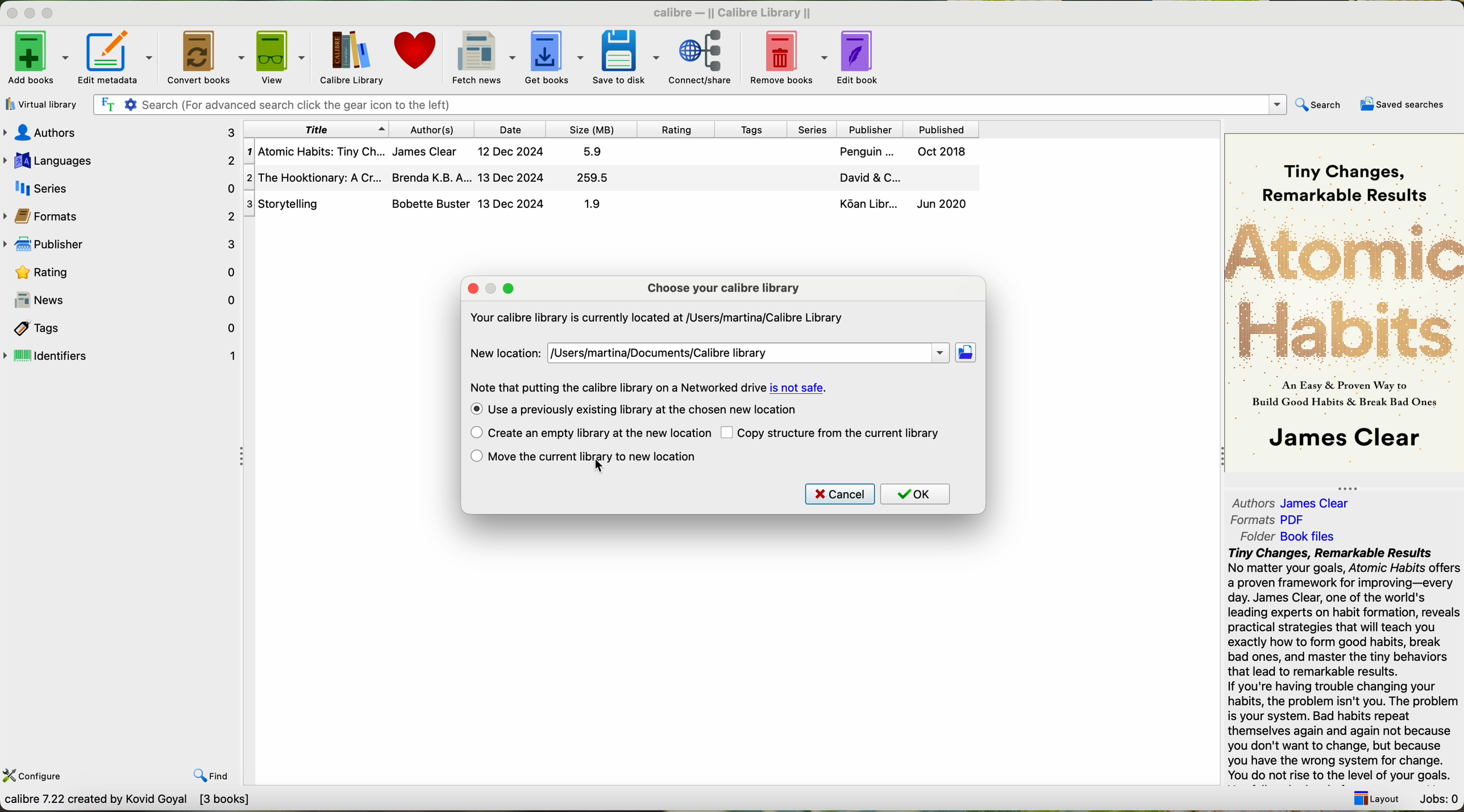 The width and height of the screenshot is (1464, 812). I want to click on published, so click(940, 128).